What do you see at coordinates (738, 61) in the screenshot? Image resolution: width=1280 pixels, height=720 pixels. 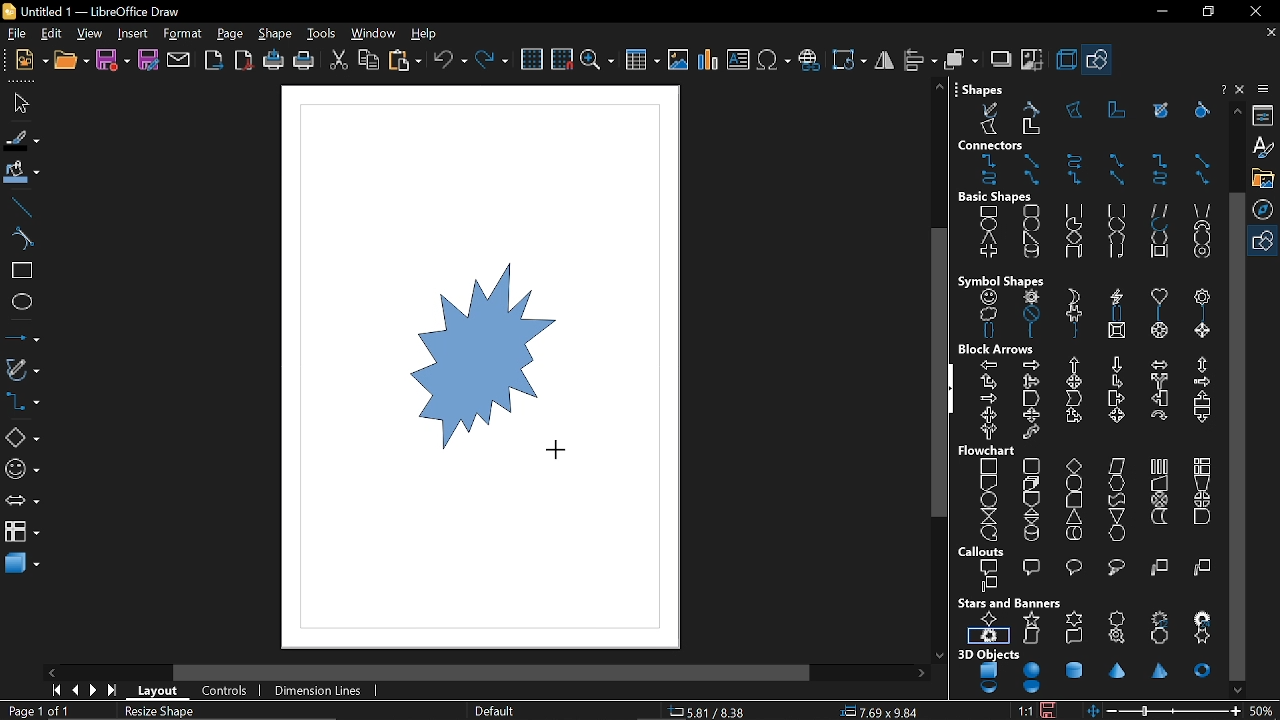 I see `Insert text` at bounding box center [738, 61].